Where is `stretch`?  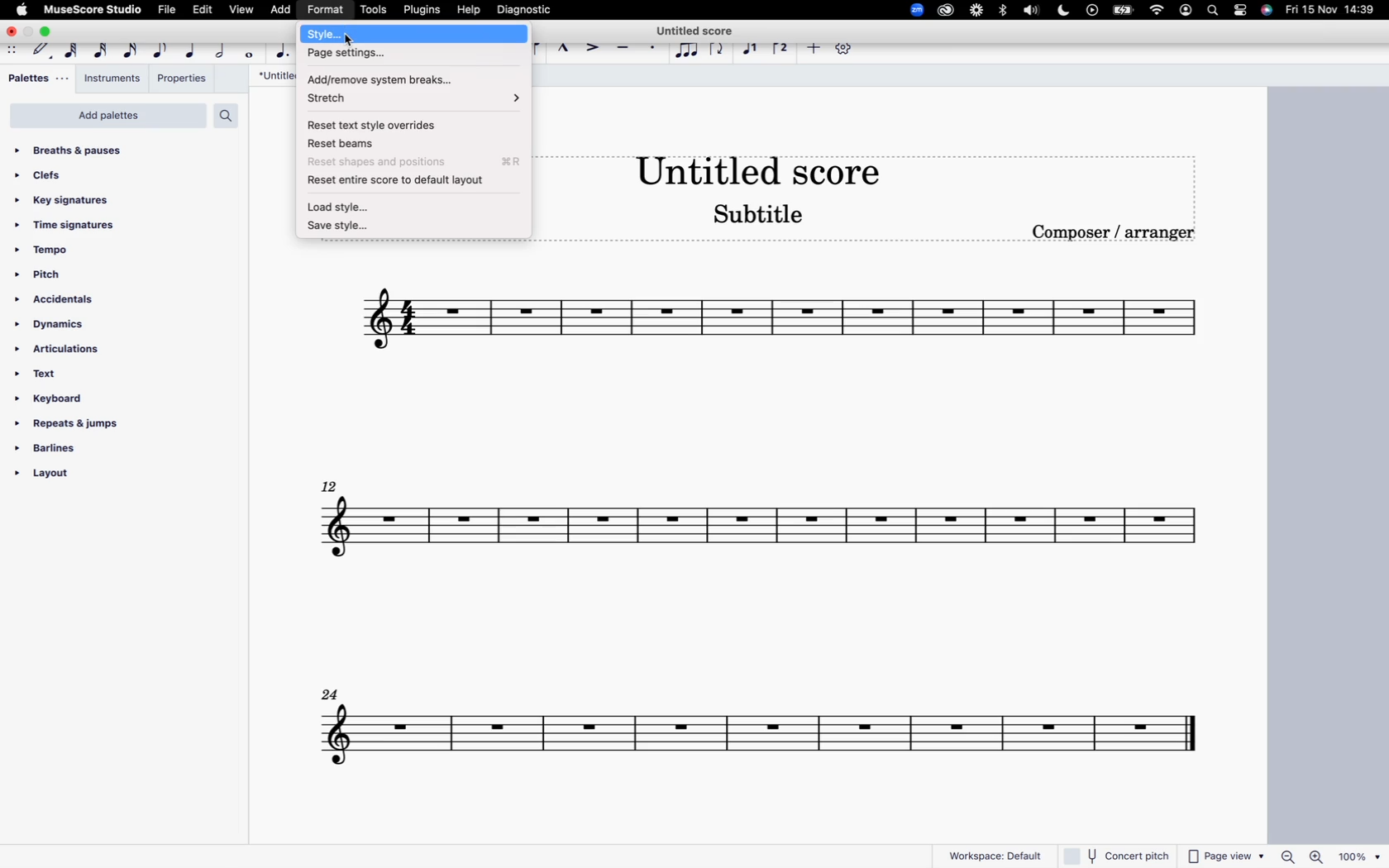 stretch is located at coordinates (413, 99).